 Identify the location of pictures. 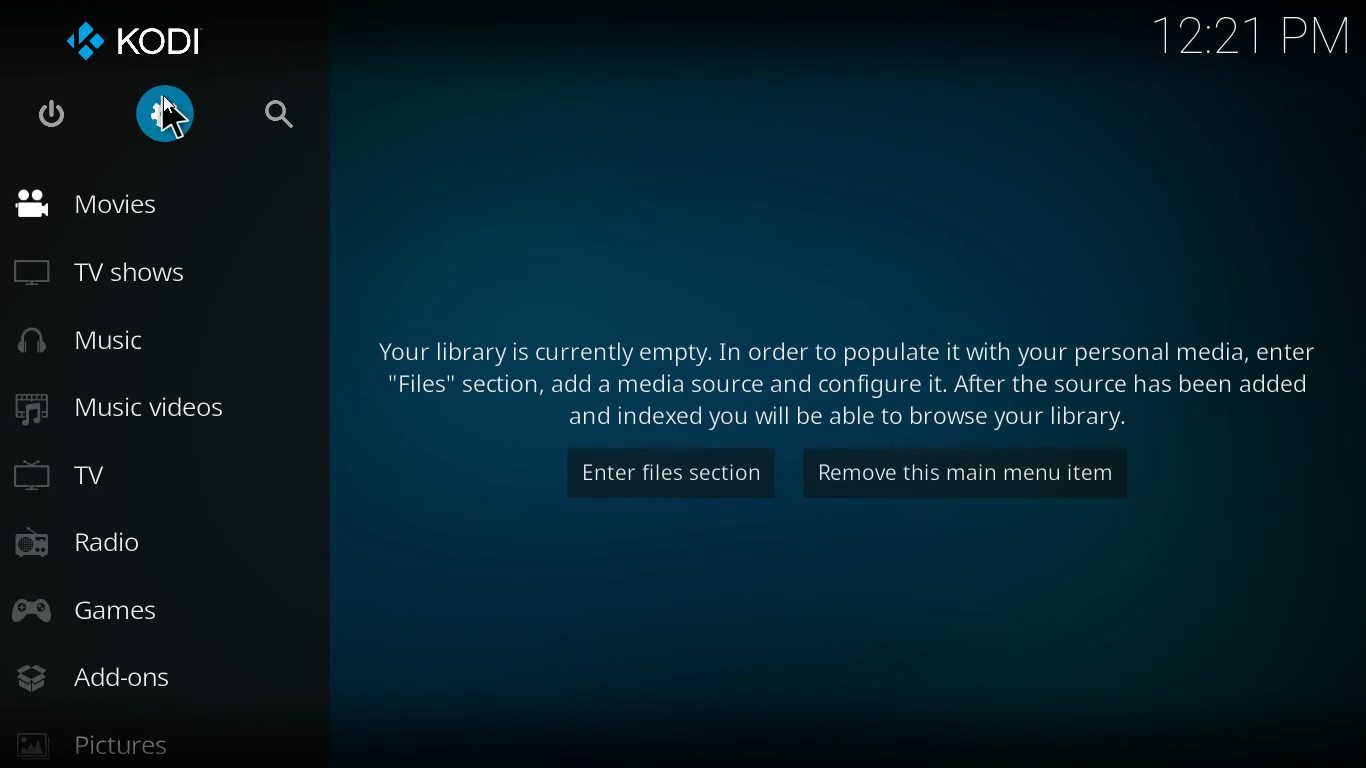
(119, 744).